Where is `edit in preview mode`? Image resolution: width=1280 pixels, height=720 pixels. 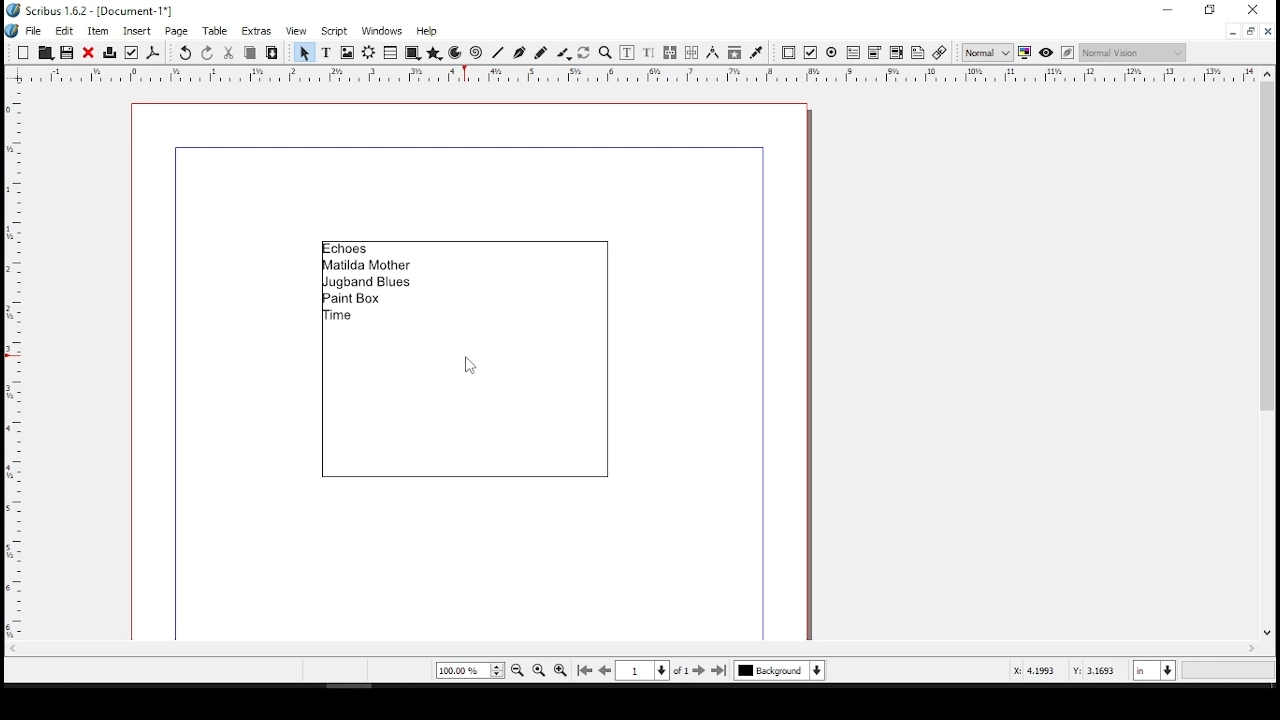
edit in preview mode is located at coordinates (1070, 53).